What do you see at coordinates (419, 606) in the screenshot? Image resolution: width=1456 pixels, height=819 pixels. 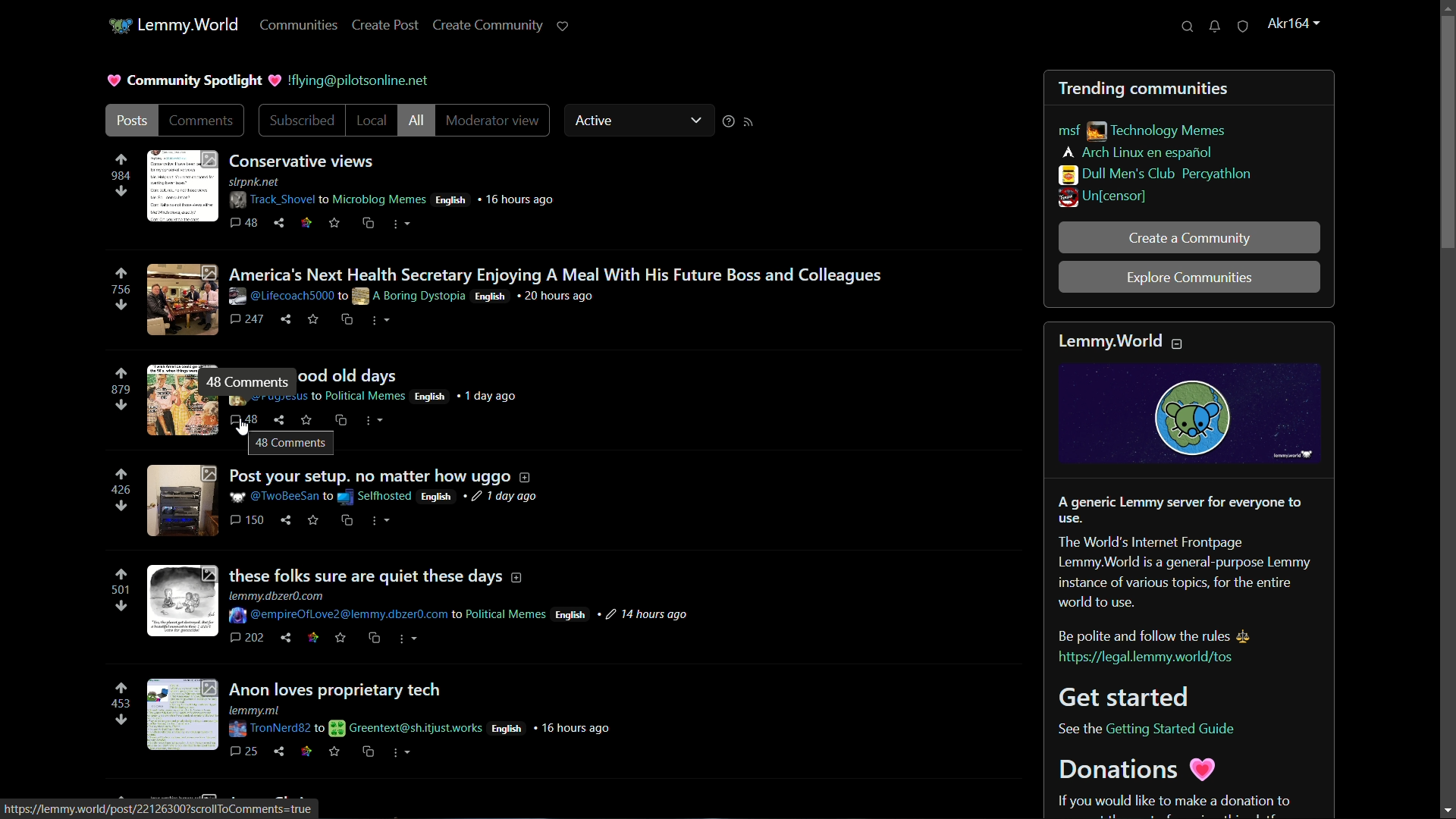 I see `post-5` at bounding box center [419, 606].